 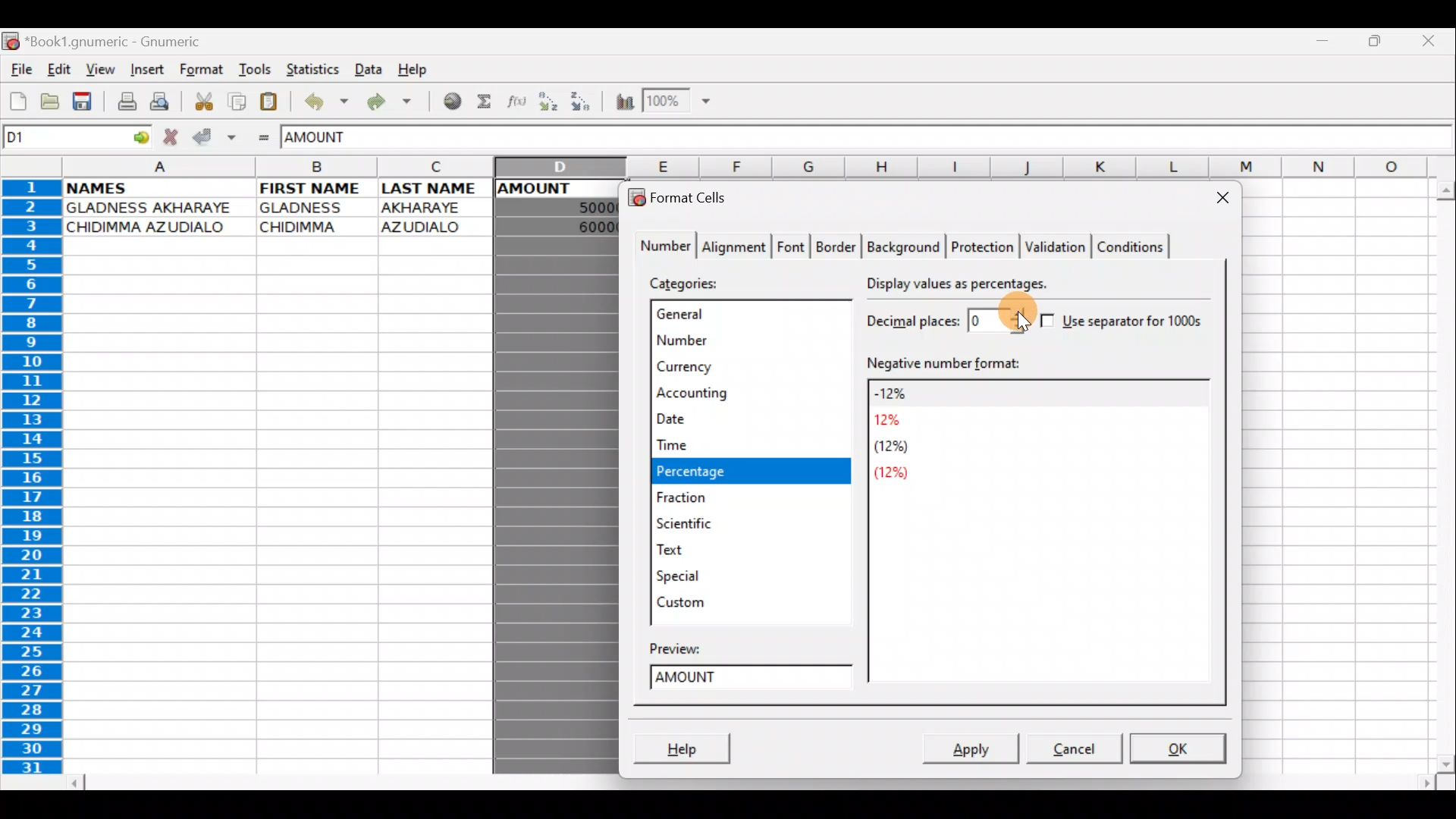 What do you see at coordinates (689, 743) in the screenshot?
I see `Help` at bounding box center [689, 743].